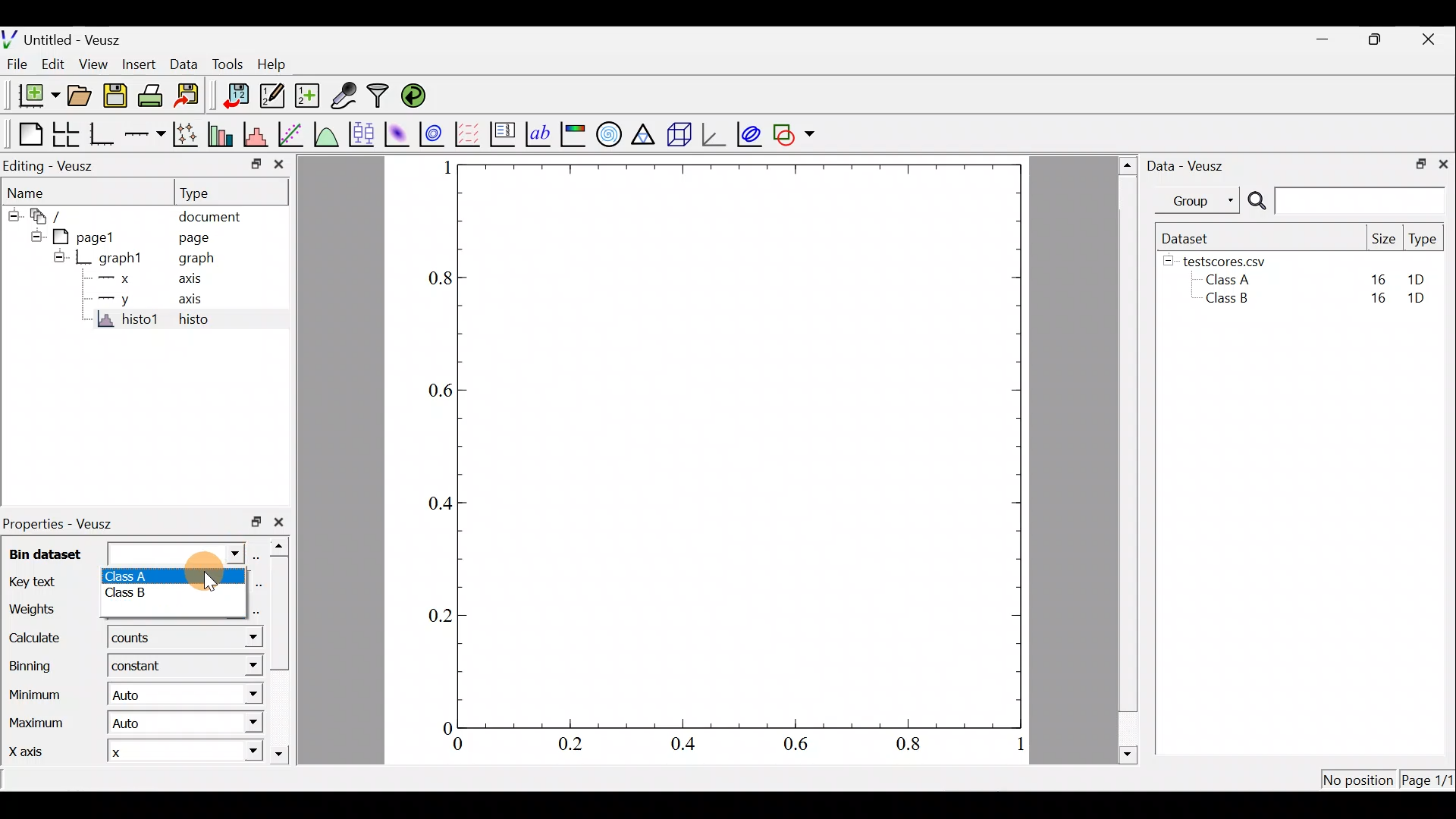  Describe the element at coordinates (502, 134) in the screenshot. I see `Plot key` at that location.